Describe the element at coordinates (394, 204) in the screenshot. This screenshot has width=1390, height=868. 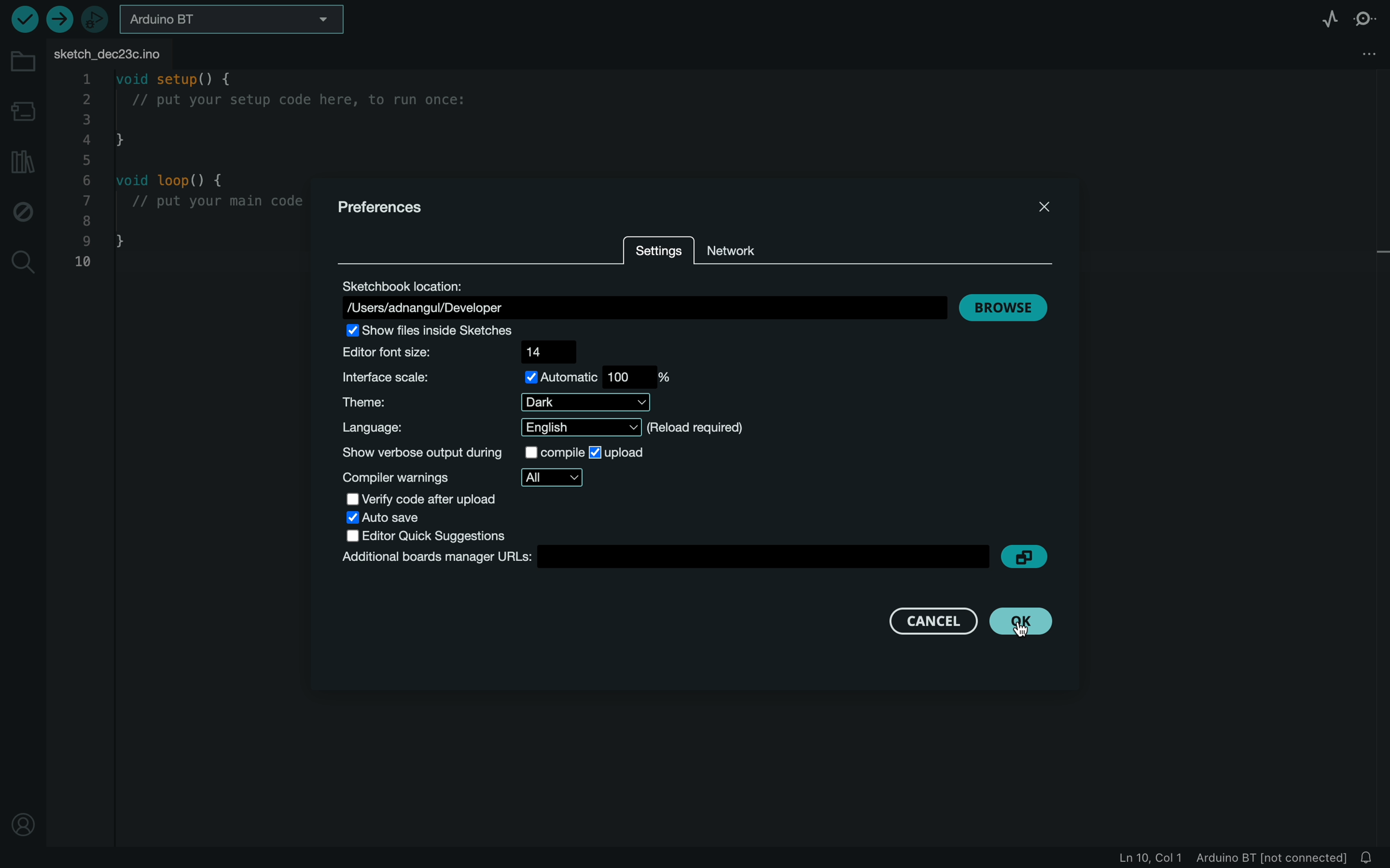
I see `preferences` at that location.